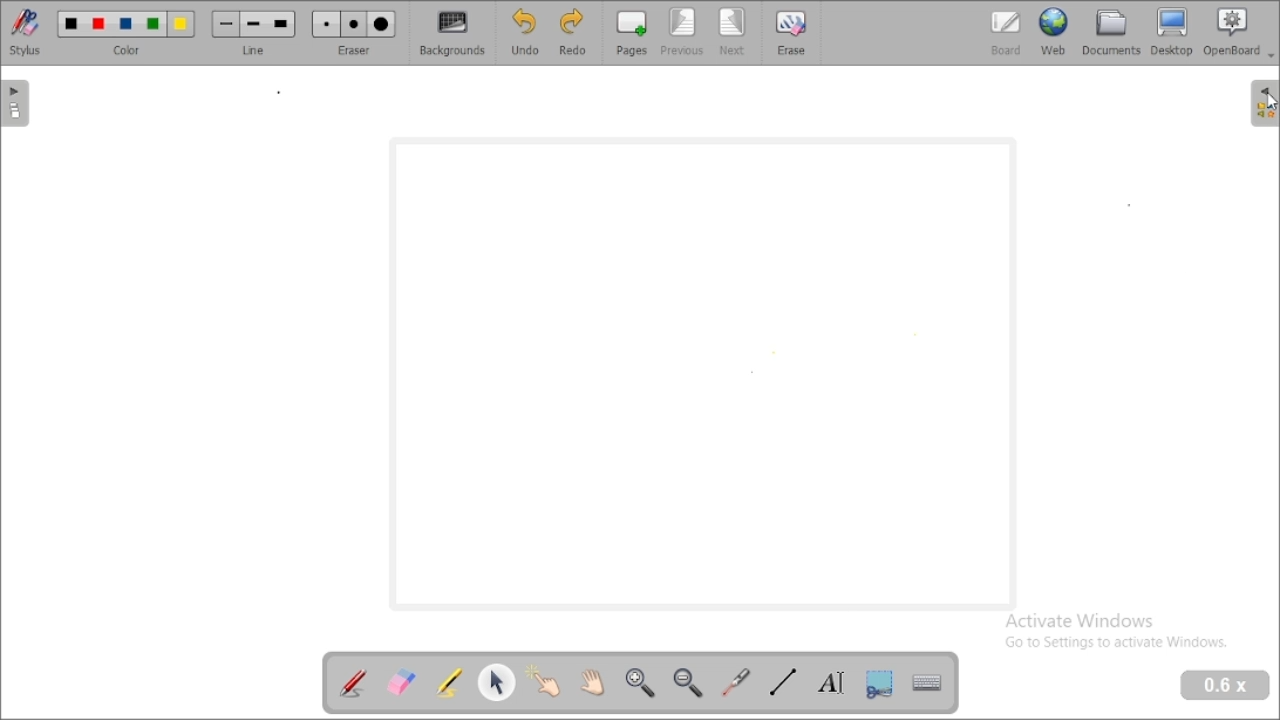 This screenshot has height=720, width=1280. What do you see at coordinates (571, 33) in the screenshot?
I see `redo` at bounding box center [571, 33].